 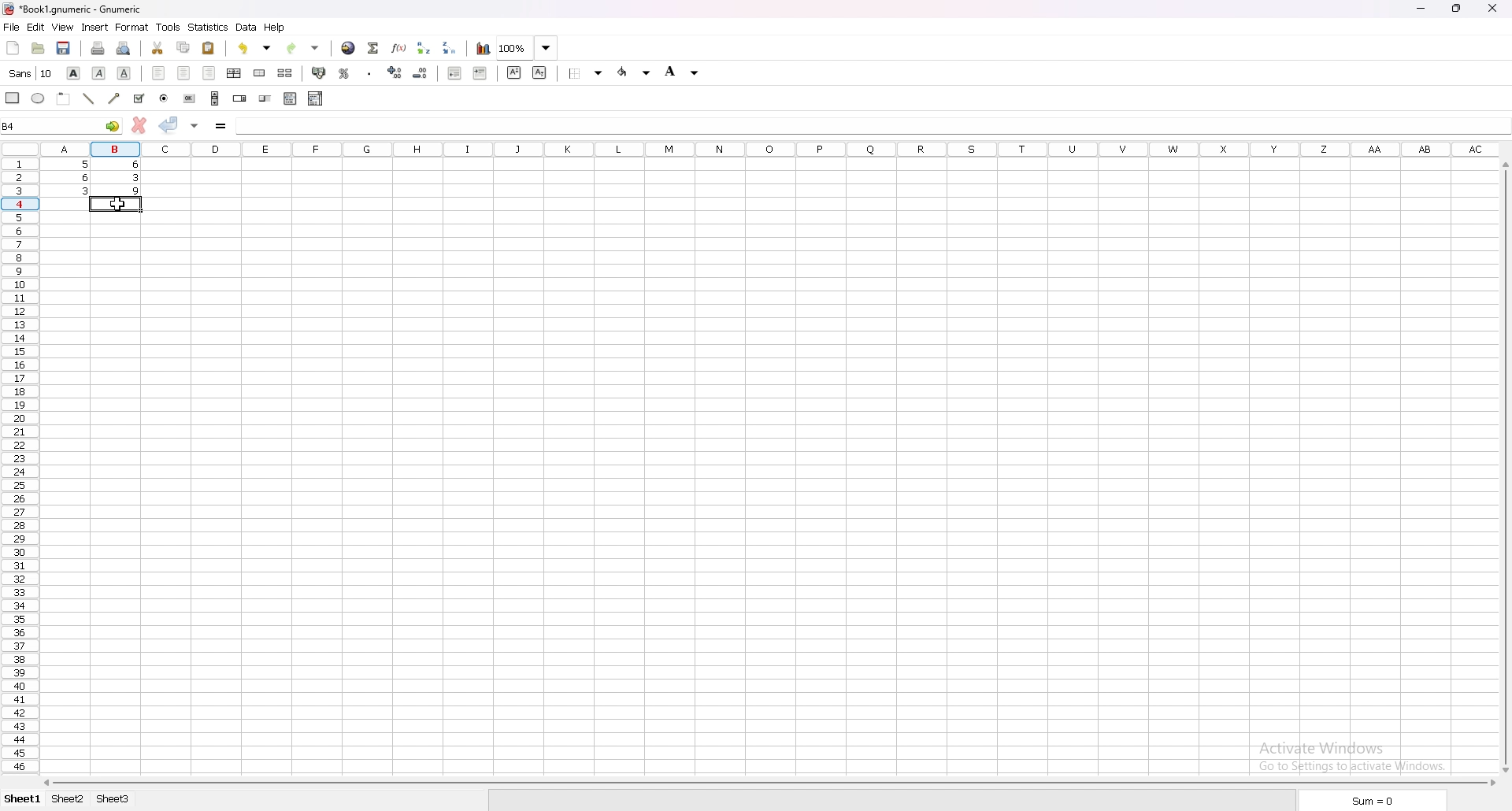 I want to click on cell input, so click(x=870, y=124).